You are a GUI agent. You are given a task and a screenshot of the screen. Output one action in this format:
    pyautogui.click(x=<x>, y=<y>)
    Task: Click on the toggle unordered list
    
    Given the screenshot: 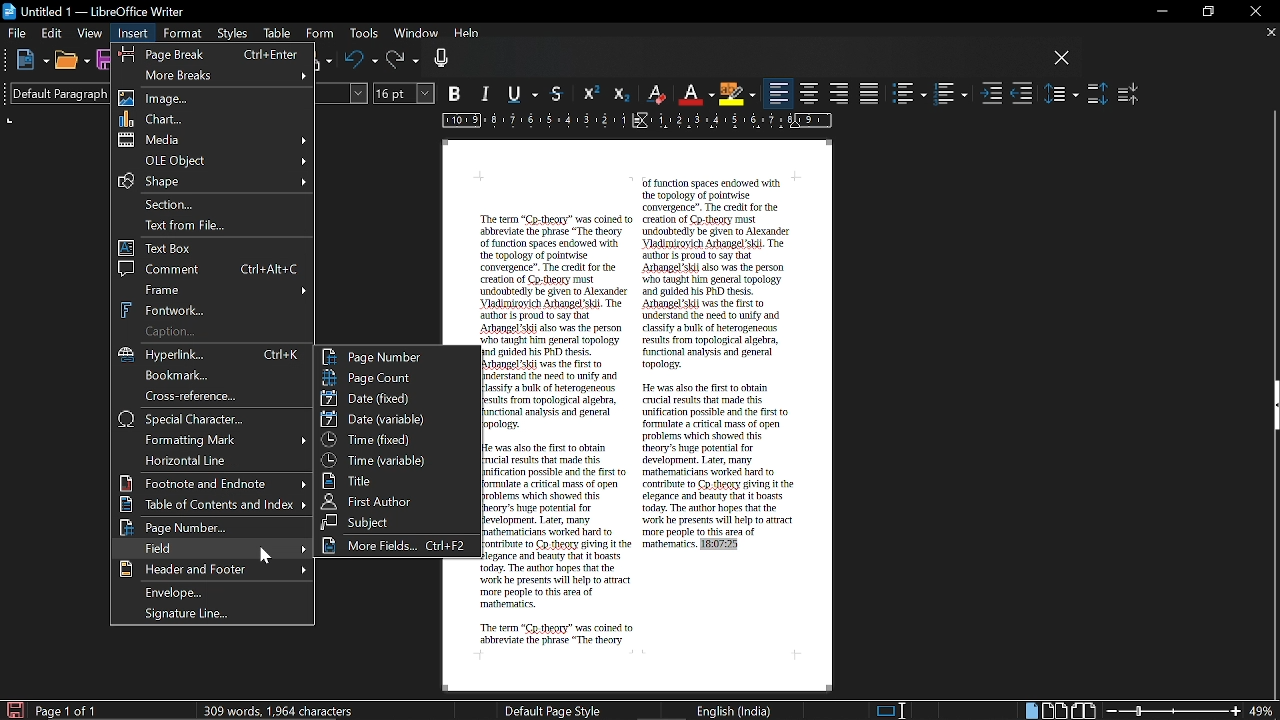 What is the action you would take?
    pyautogui.click(x=910, y=94)
    